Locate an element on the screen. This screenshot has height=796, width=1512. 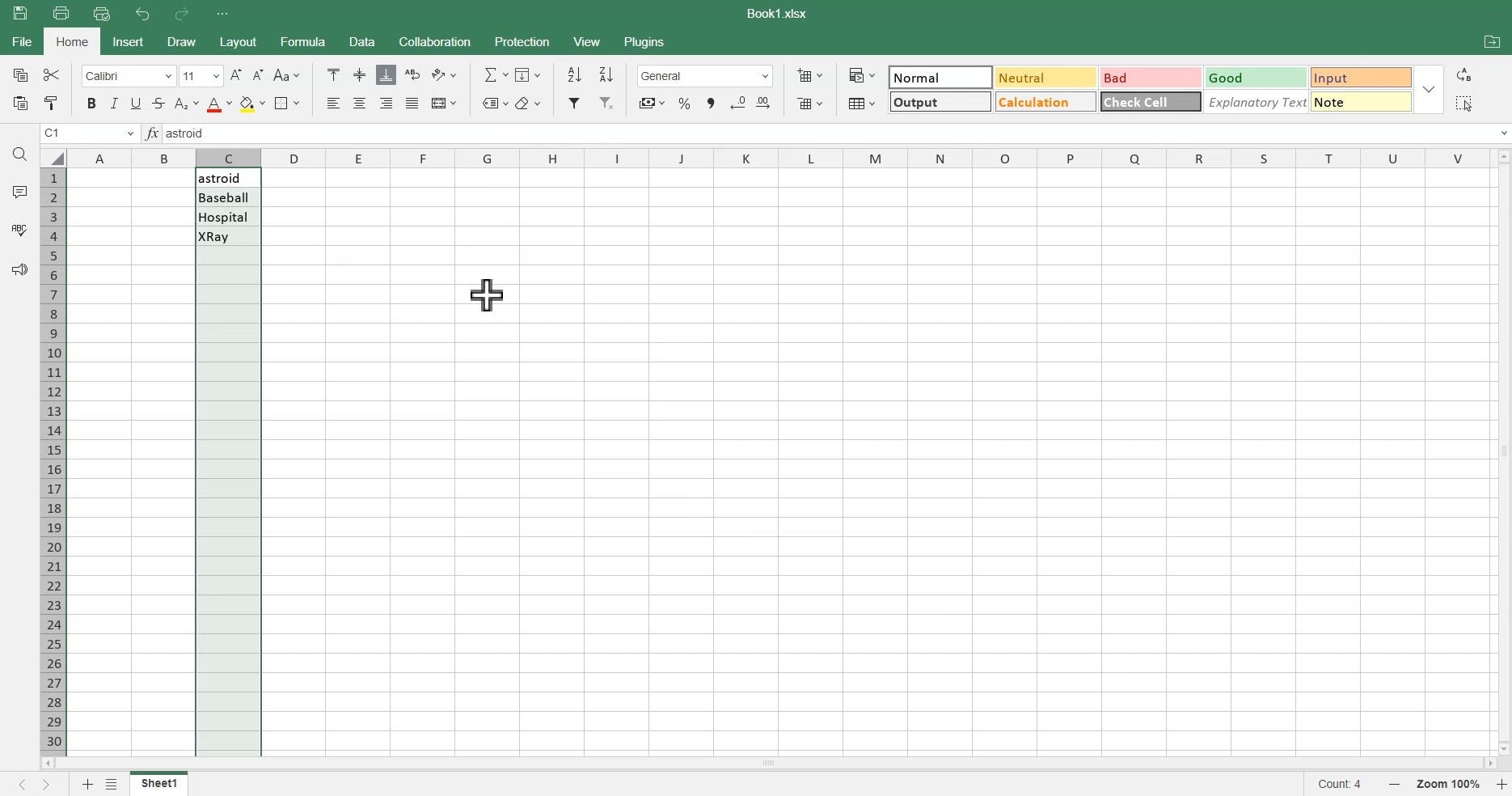
zoom 100% is located at coordinates (1451, 784).